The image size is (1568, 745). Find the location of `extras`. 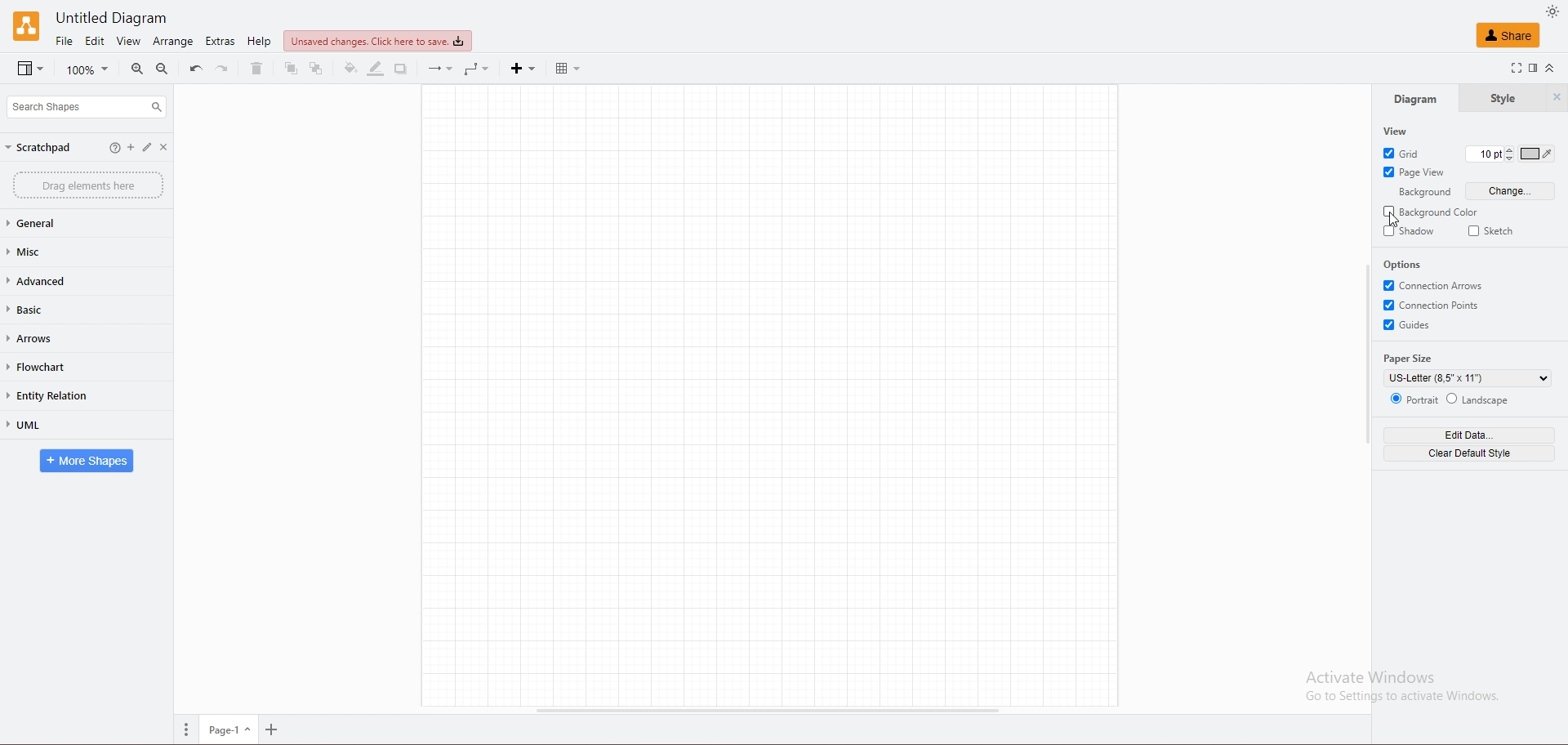

extras is located at coordinates (221, 41).